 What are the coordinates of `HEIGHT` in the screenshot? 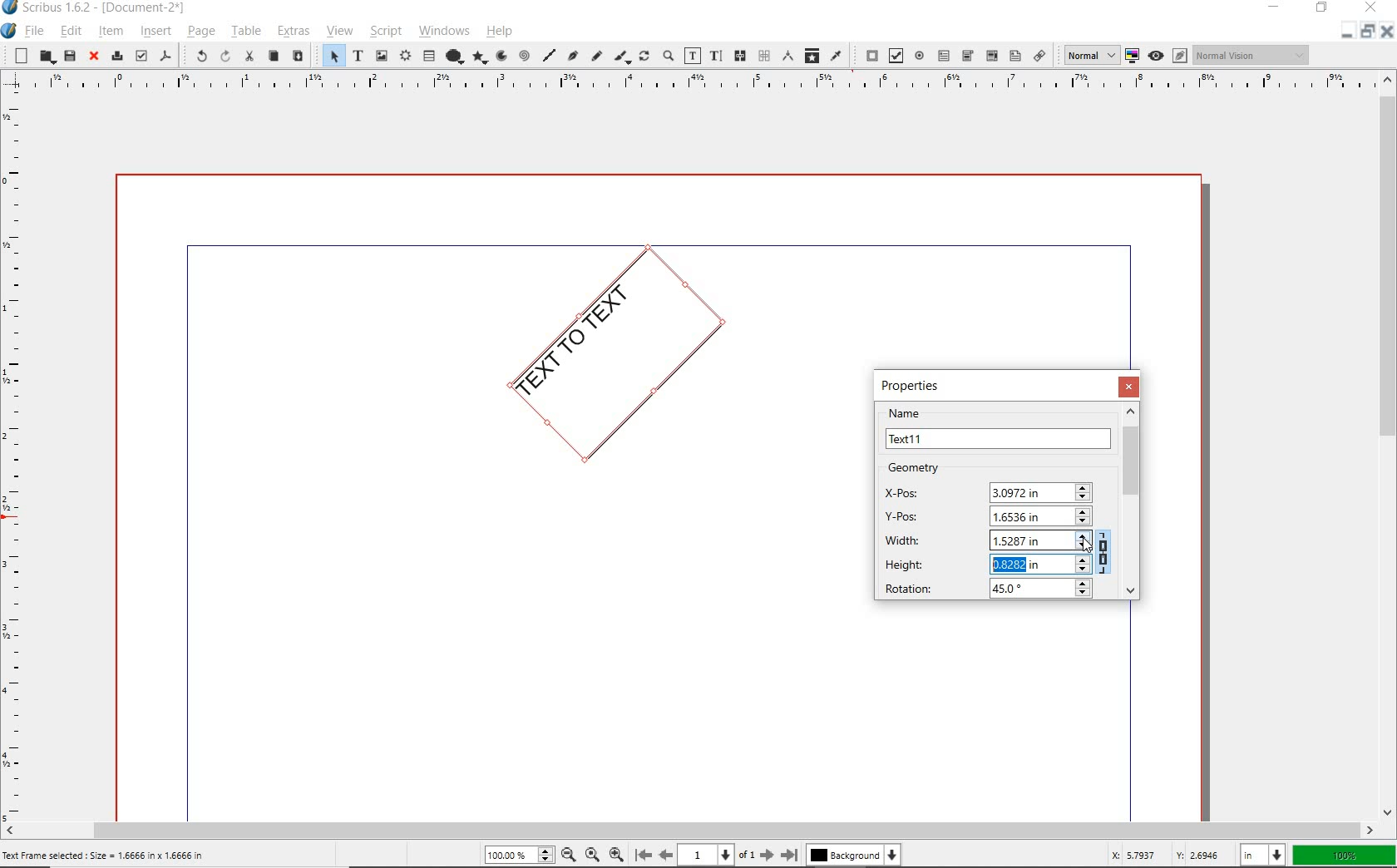 It's located at (988, 563).